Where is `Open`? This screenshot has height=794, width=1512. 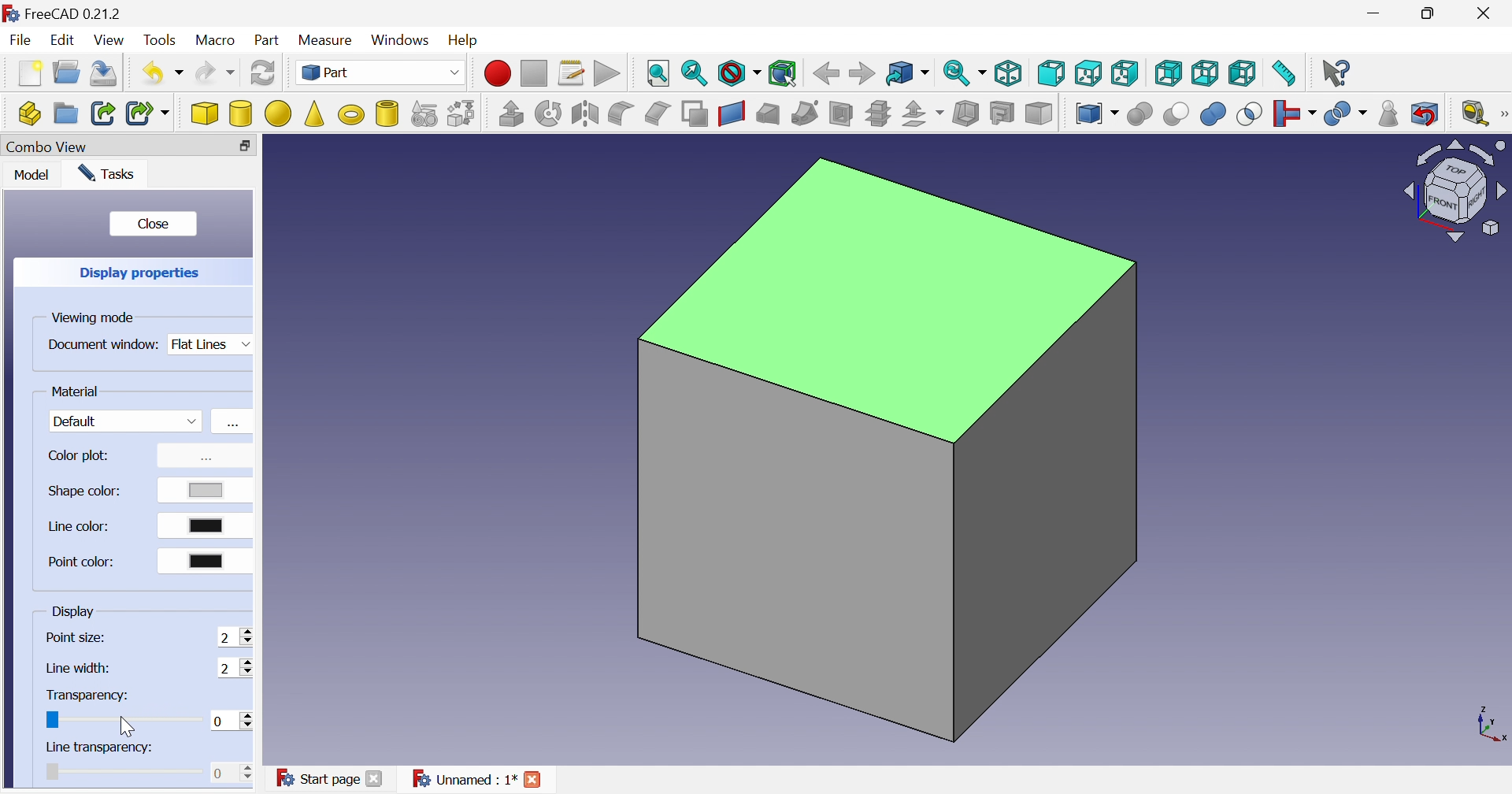 Open is located at coordinates (67, 72).